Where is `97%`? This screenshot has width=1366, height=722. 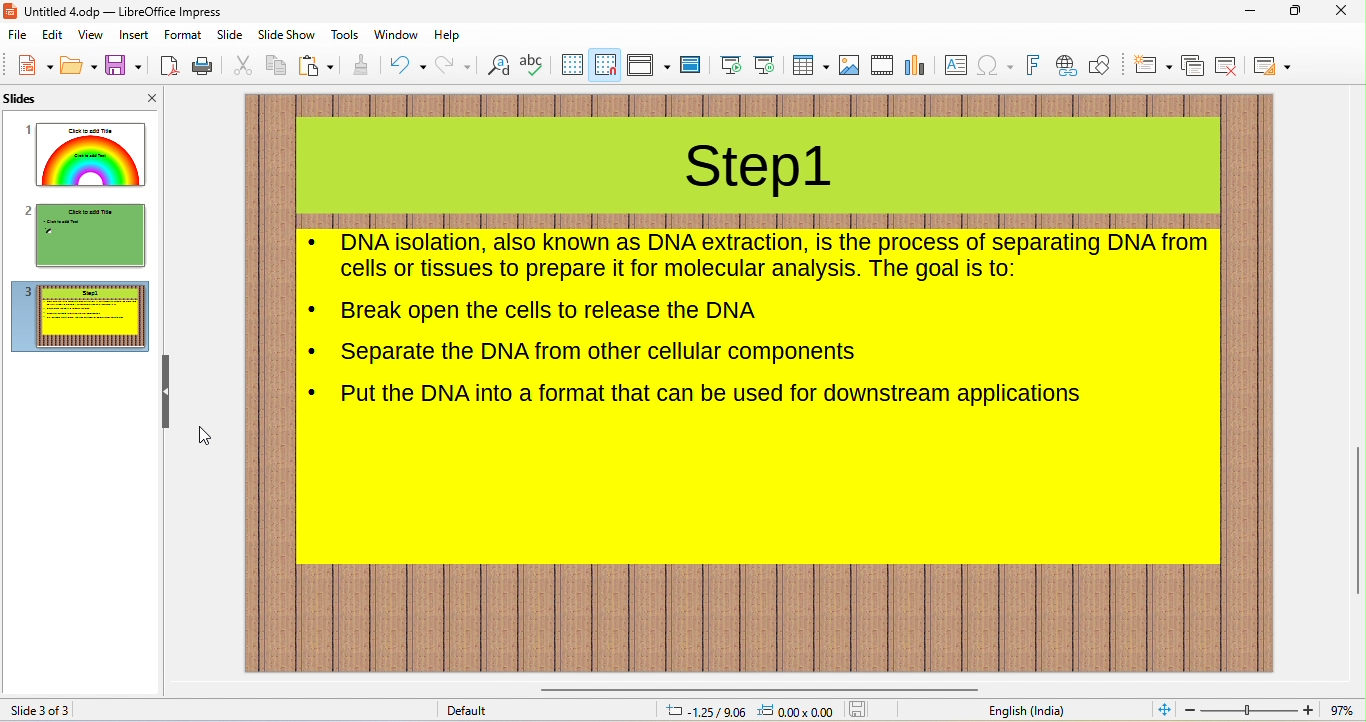
97% is located at coordinates (1342, 710).